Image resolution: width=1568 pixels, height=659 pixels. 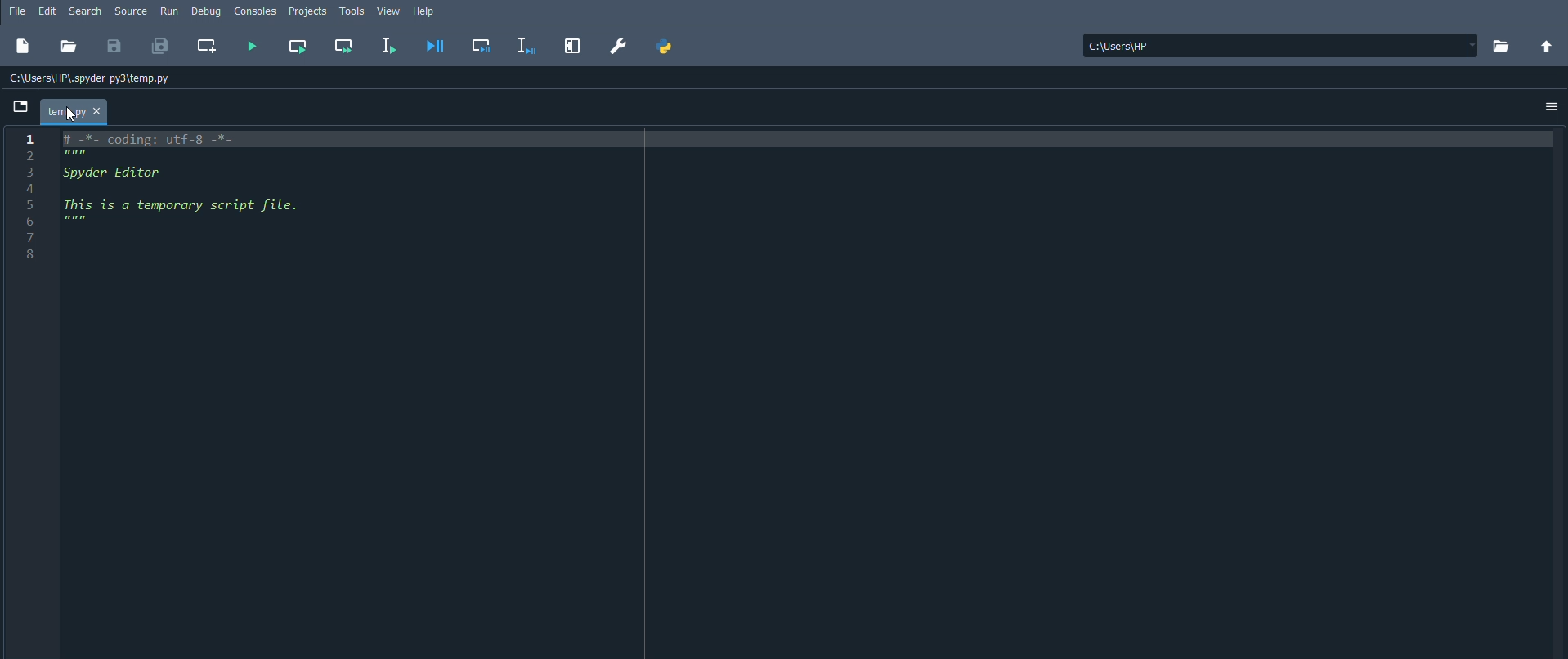 I want to click on Save file, so click(x=117, y=47).